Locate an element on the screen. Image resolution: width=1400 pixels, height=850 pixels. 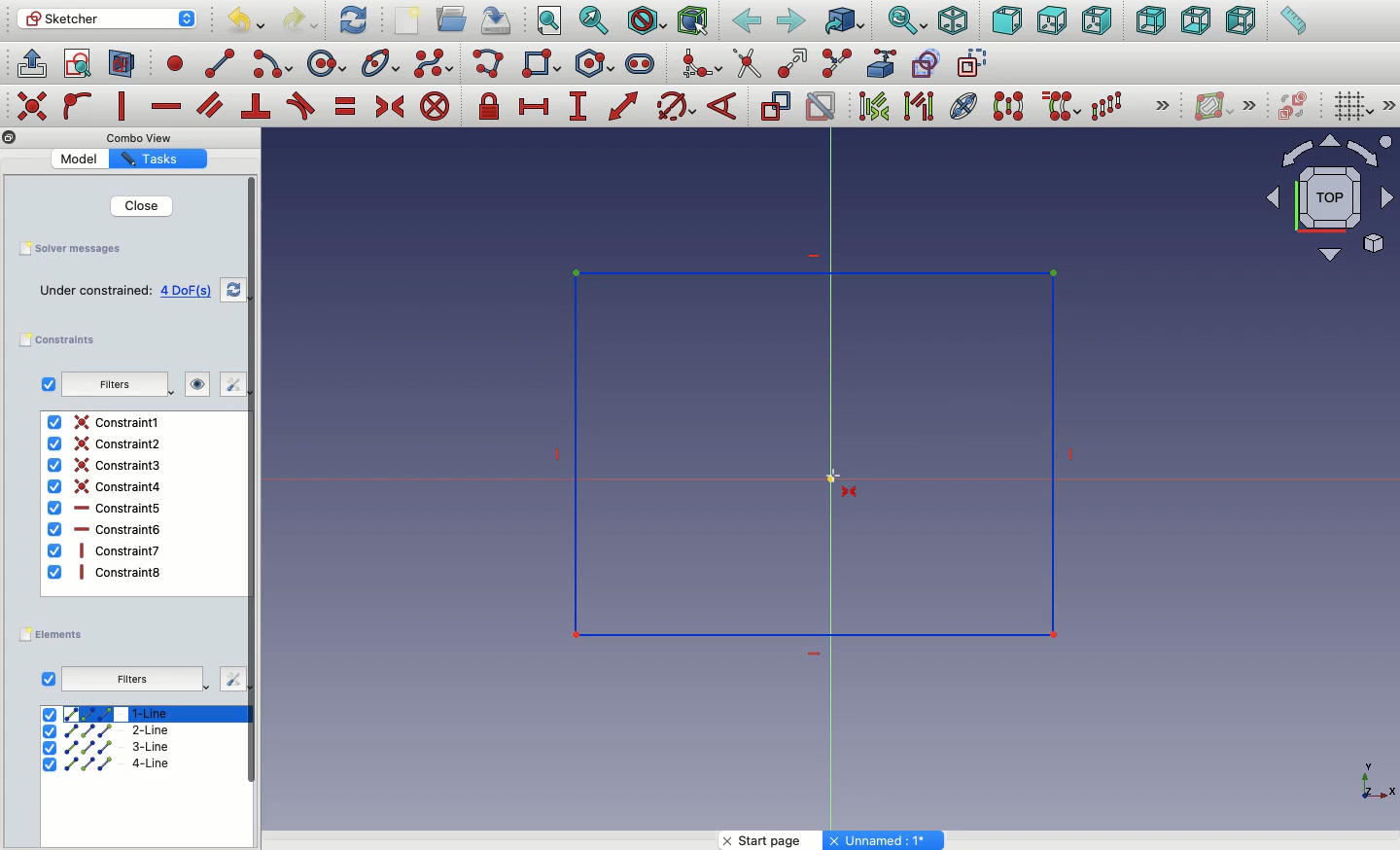
Expand is located at coordinates (1163, 107).